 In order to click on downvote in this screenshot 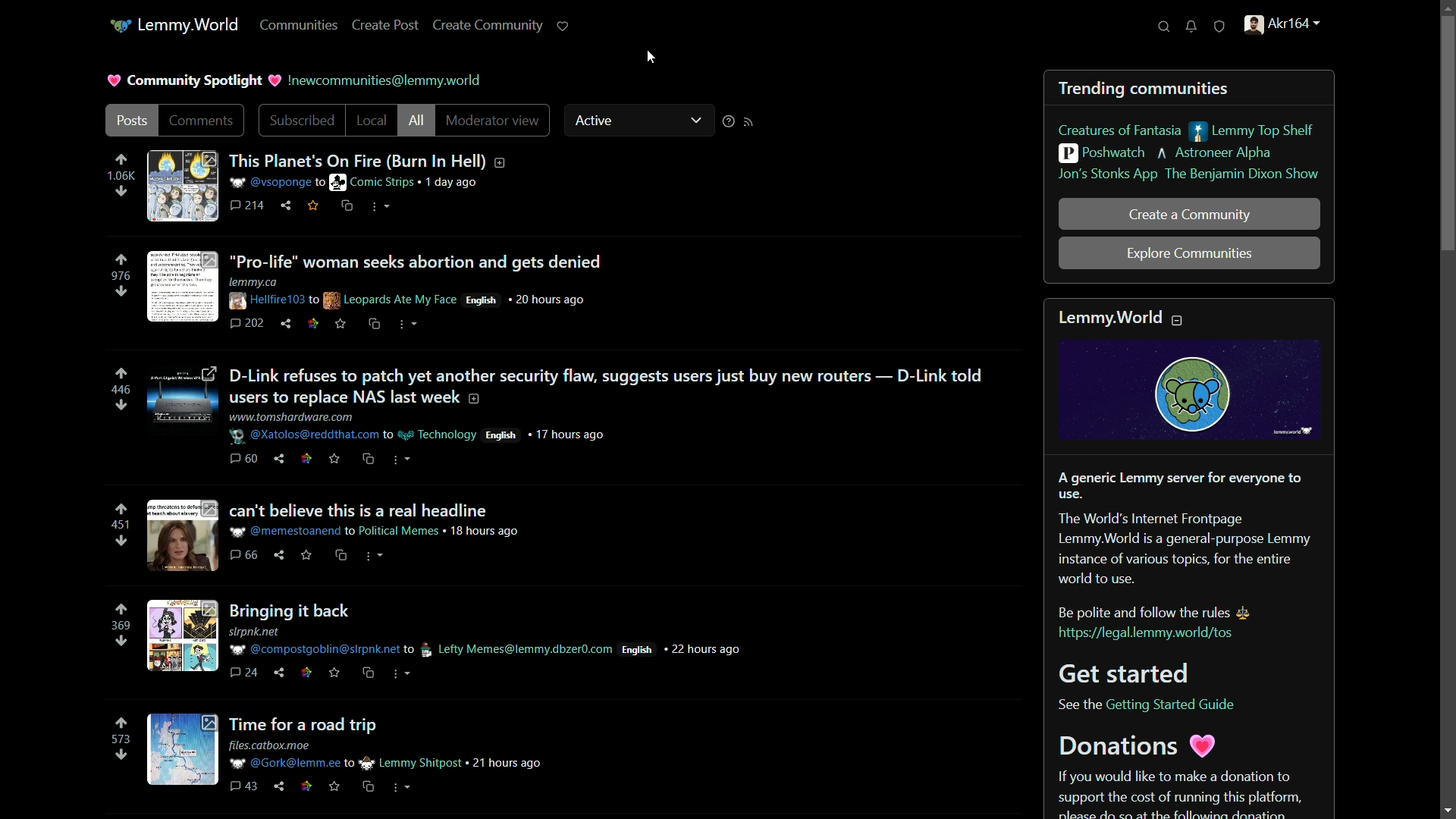, I will do `click(121, 293)`.